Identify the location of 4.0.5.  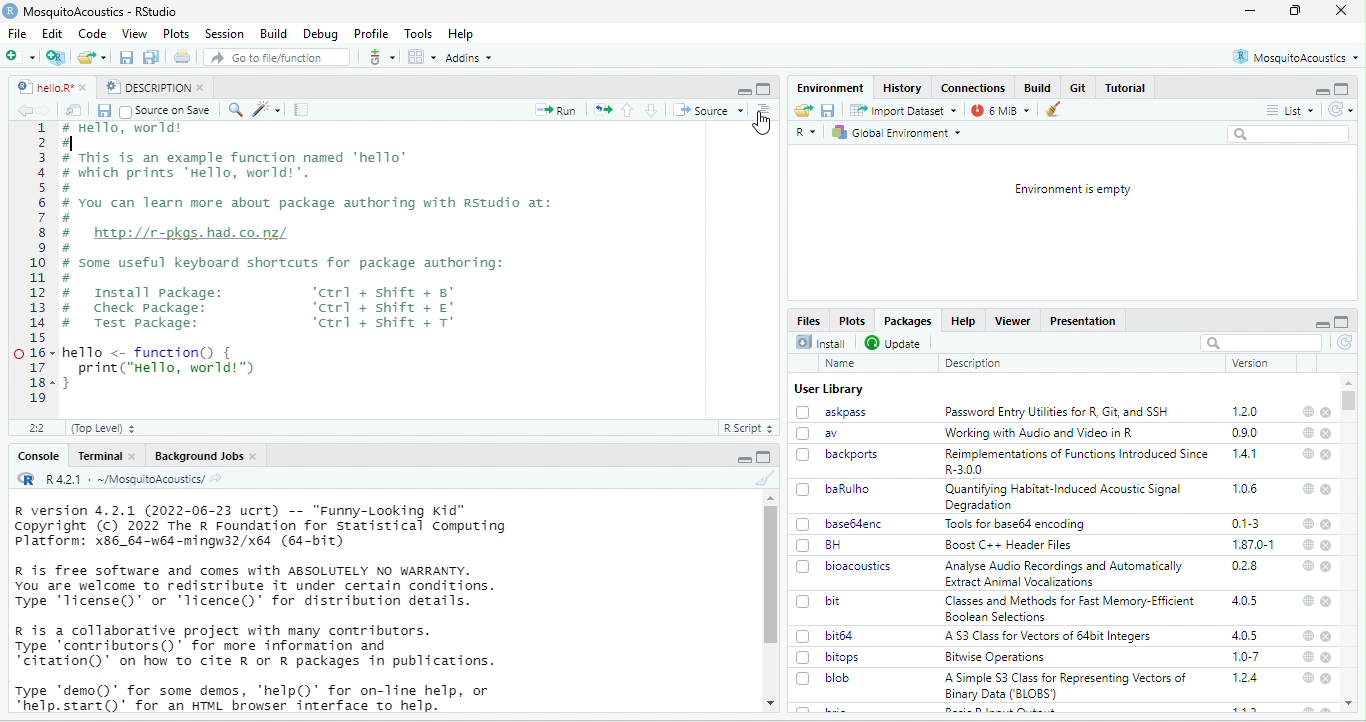
(1246, 600).